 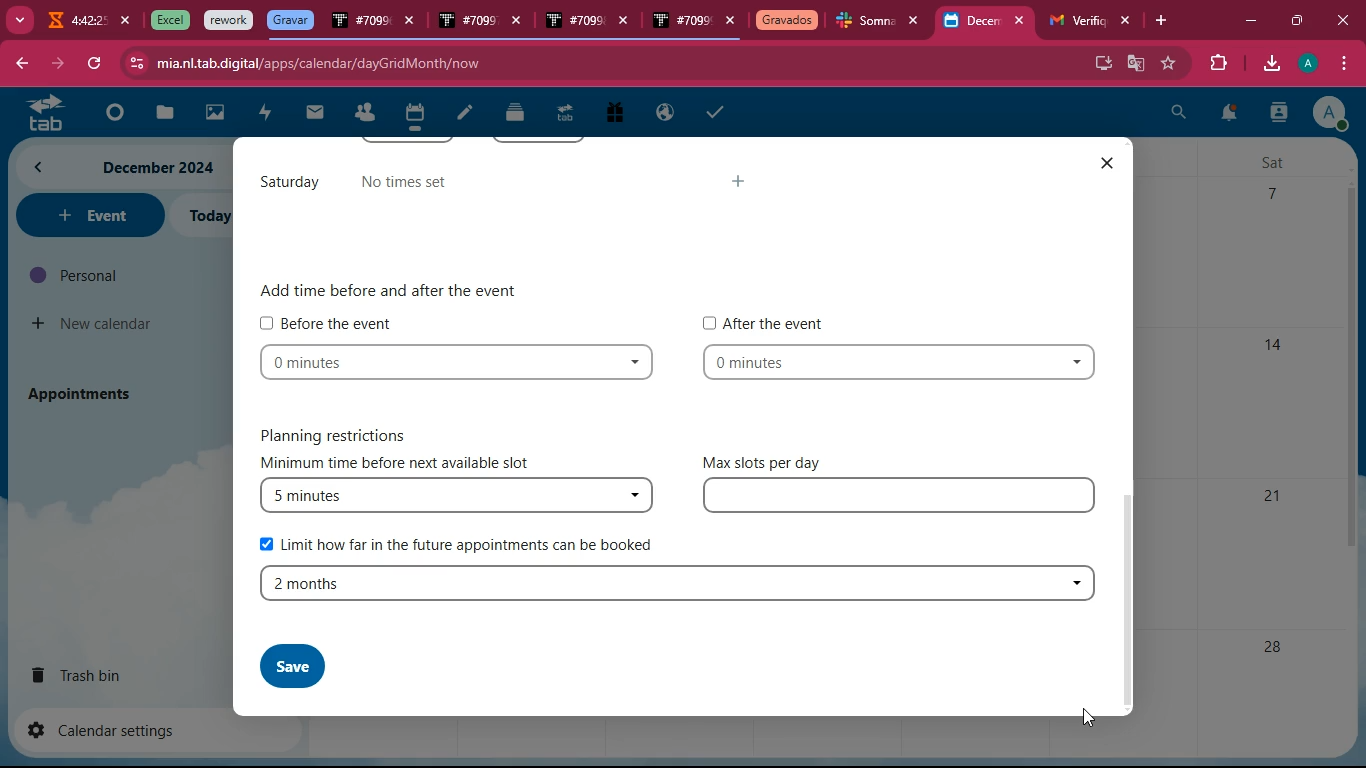 What do you see at coordinates (290, 20) in the screenshot?
I see `tab` at bounding box center [290, 20].